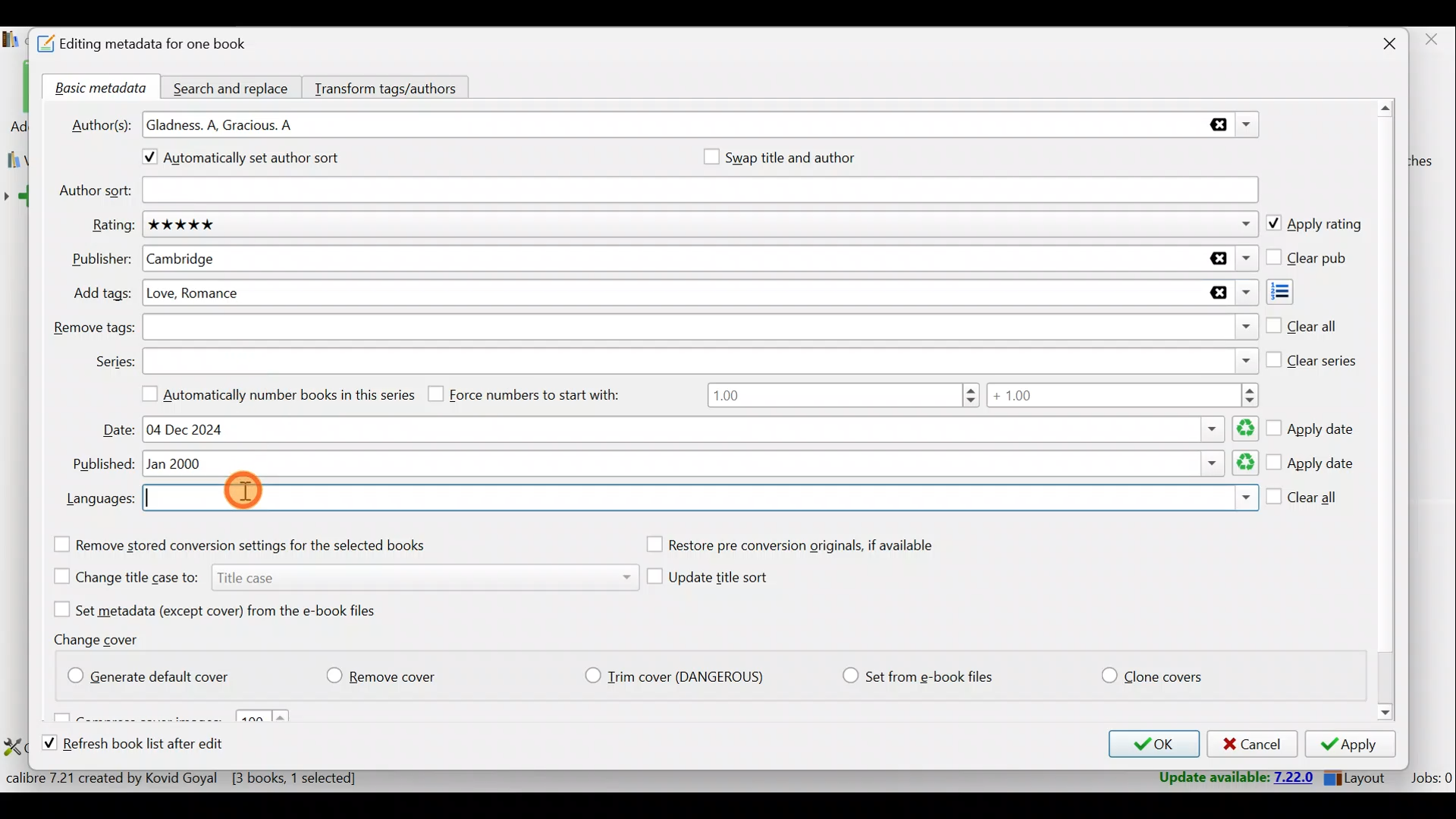 Image resolution: width=1456 pixels, height=819 pixels. What do you see at coordinates (698, 293) in the screenshot?
I see `Add tags` at bounding box center [698, 293].